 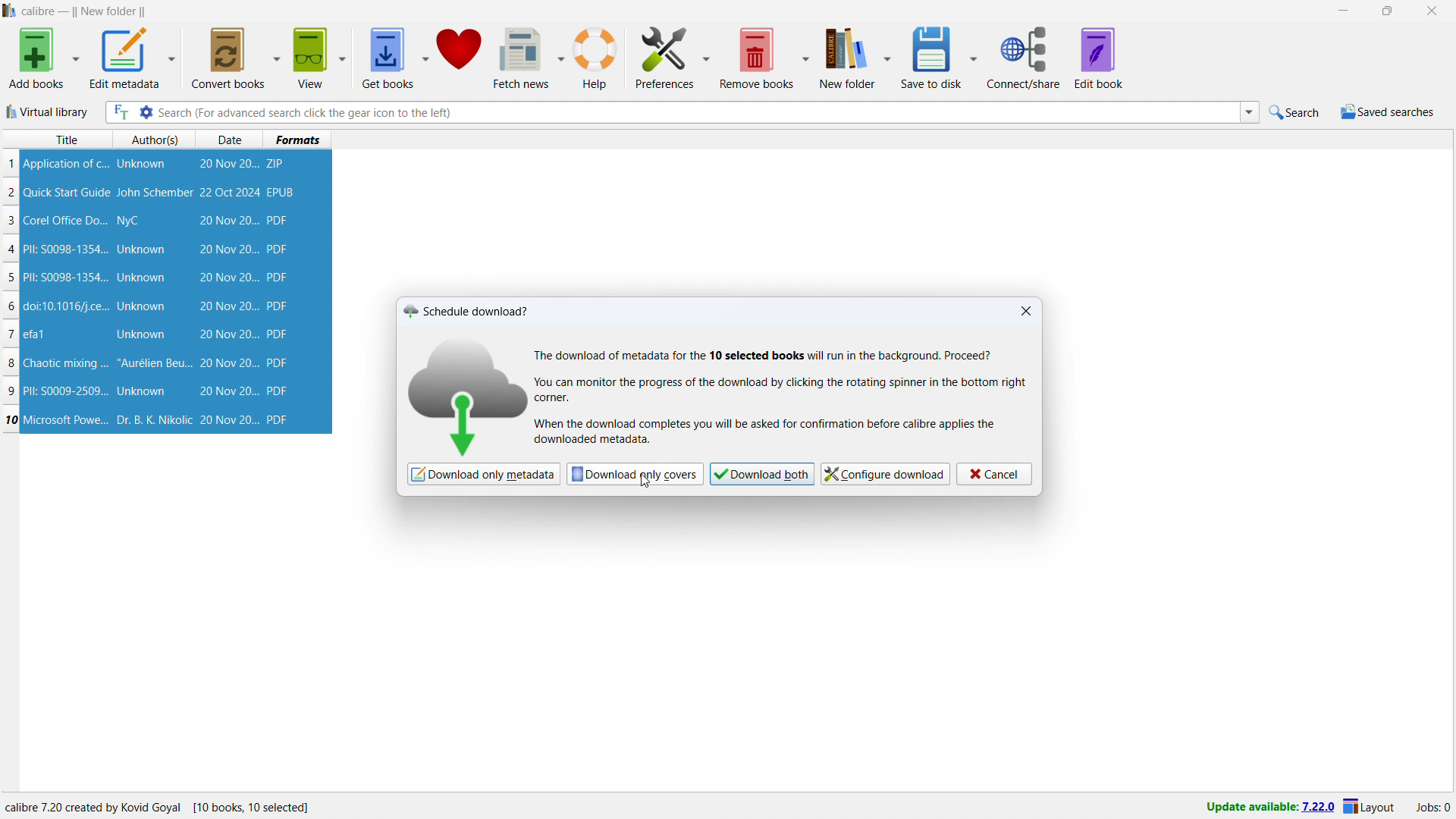 What do you see at coordinates (227, 277) in the screenshot?
I see `20 Nov 20...` at bounding box center [227, 277].